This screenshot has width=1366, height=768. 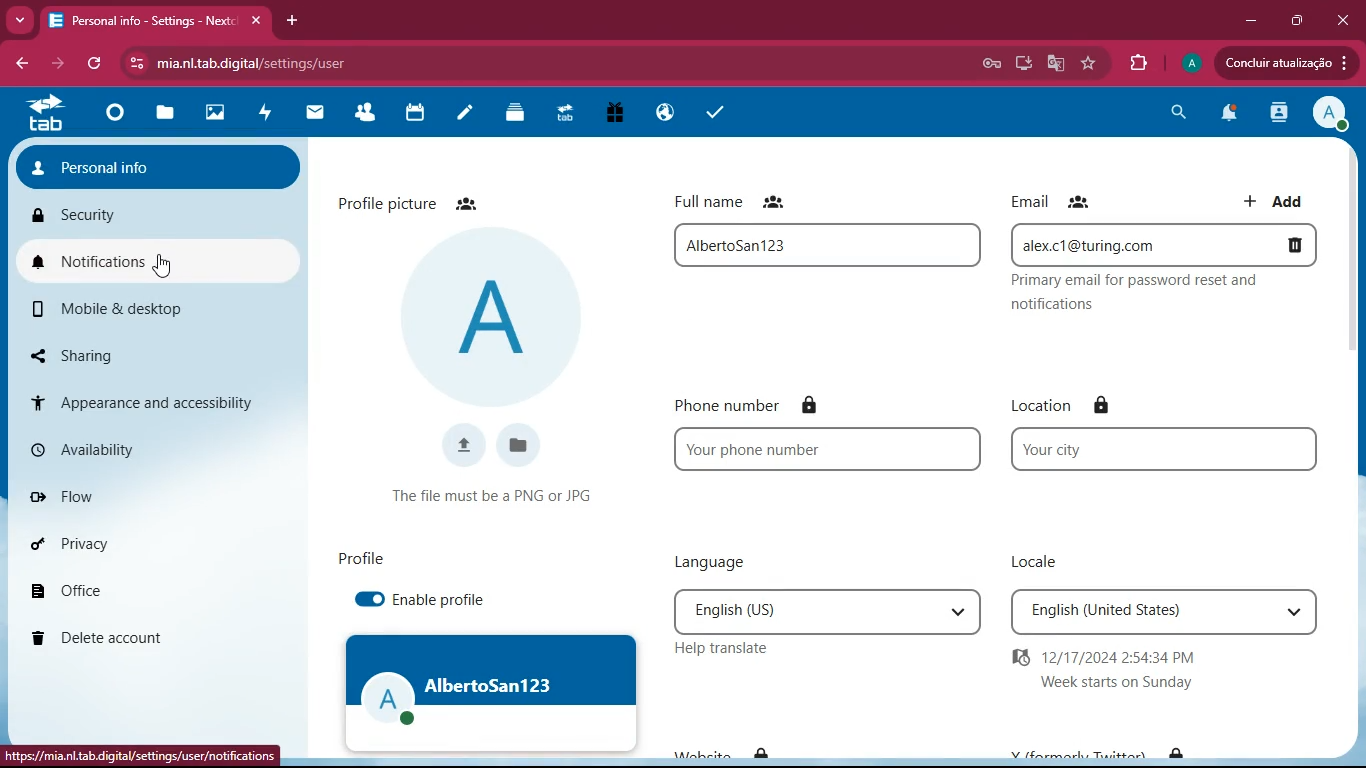 What do you see at coordinates (492, 315) in the screenshot?
I see `profile` at bounding box center [492, 315].